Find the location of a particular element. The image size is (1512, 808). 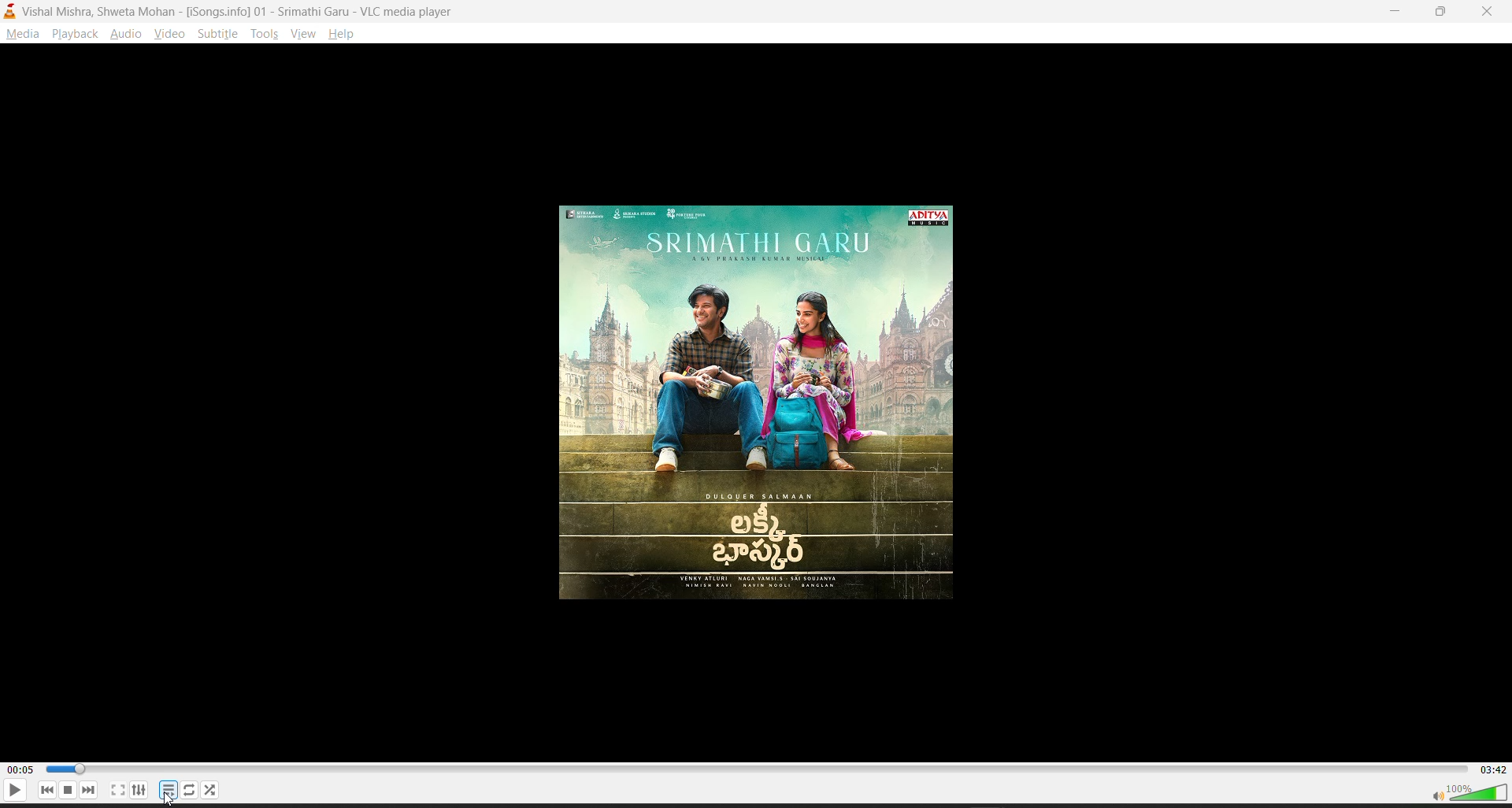

volume is located at coordinates (1471, 794).